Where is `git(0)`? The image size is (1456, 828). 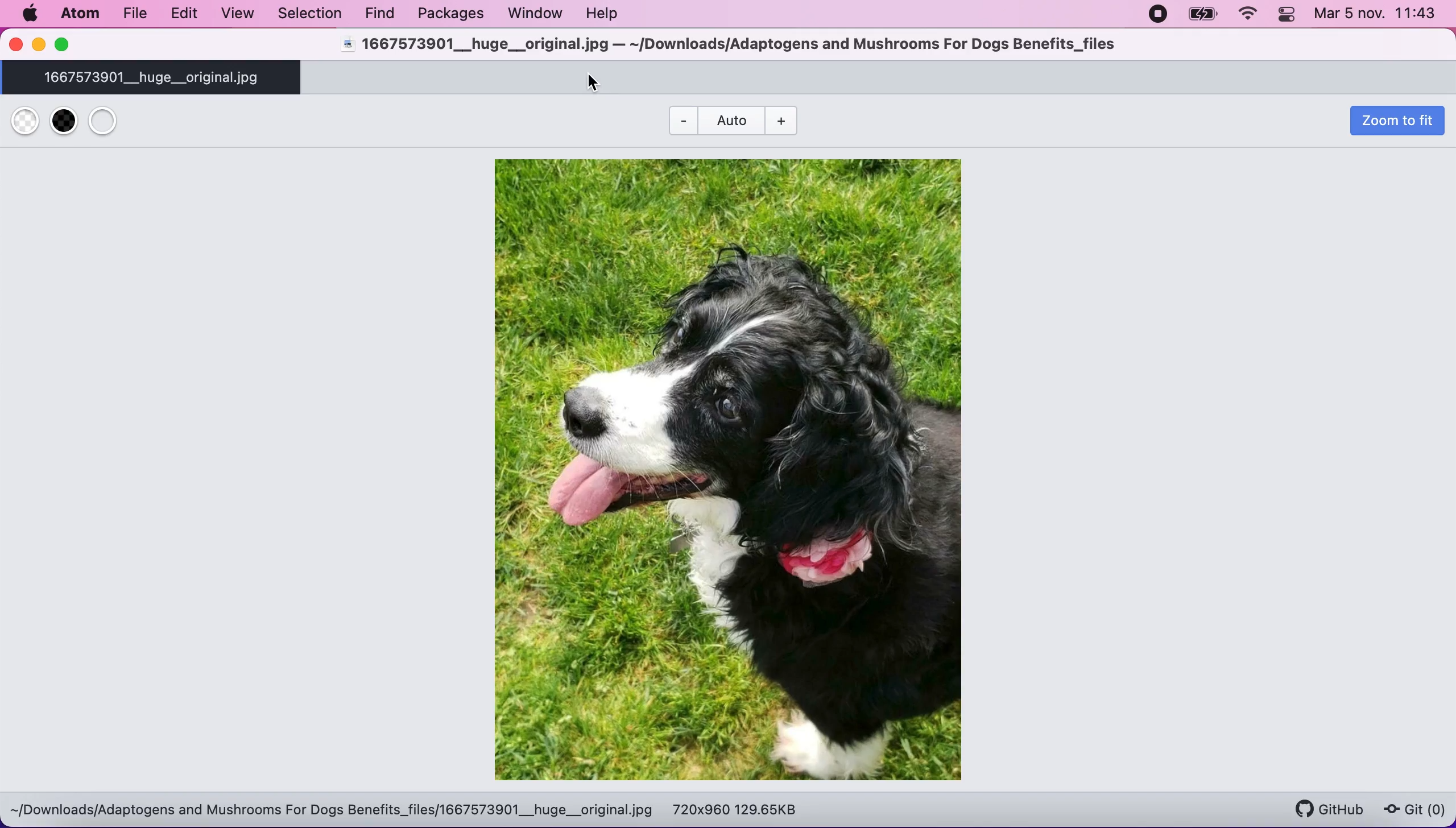 git(0) is located at coordinates (1413, 811).